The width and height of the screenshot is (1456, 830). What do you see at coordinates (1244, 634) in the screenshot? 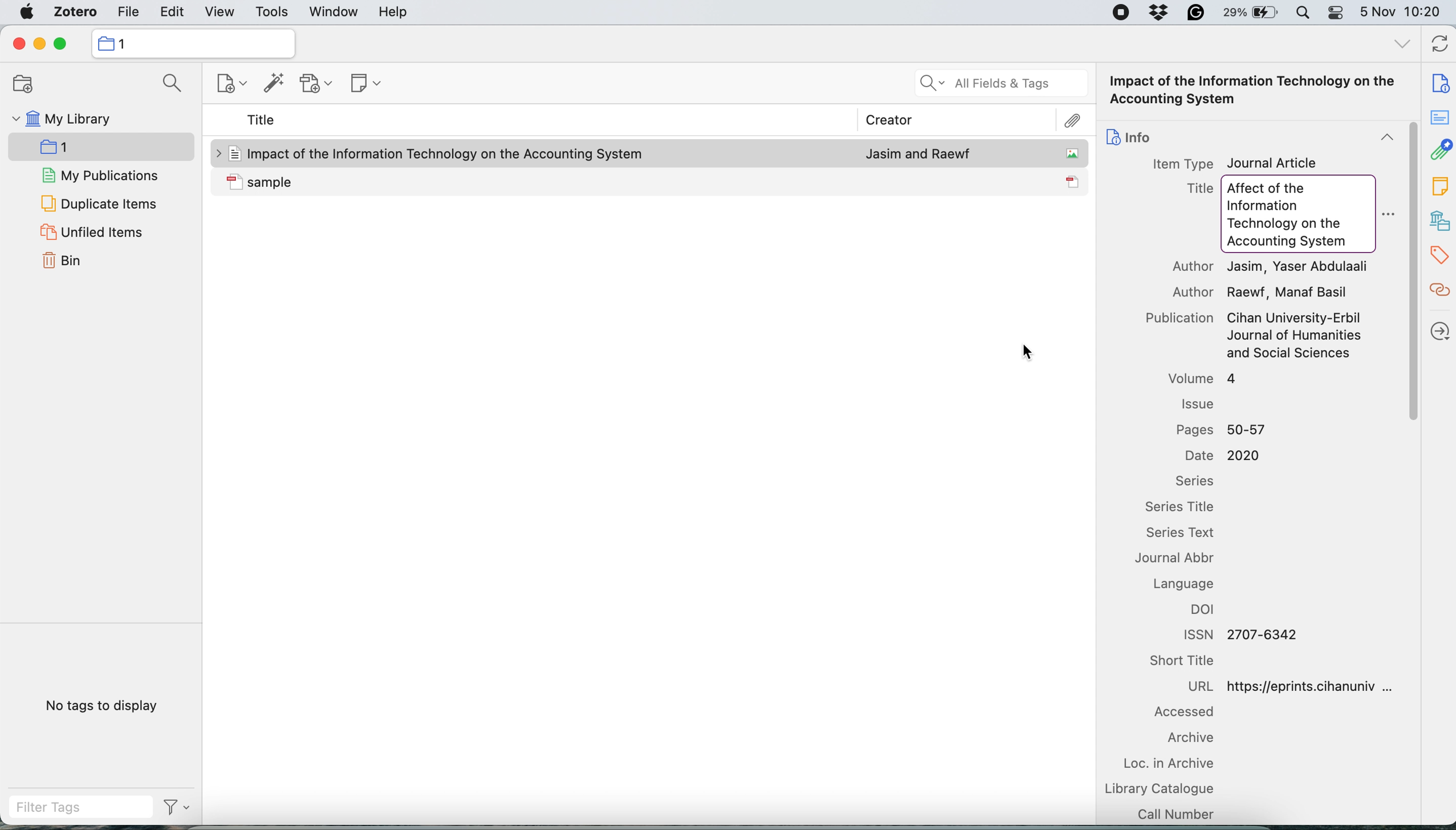
I see `ISSN 2707-6342` at bounding box center [1244, 634].